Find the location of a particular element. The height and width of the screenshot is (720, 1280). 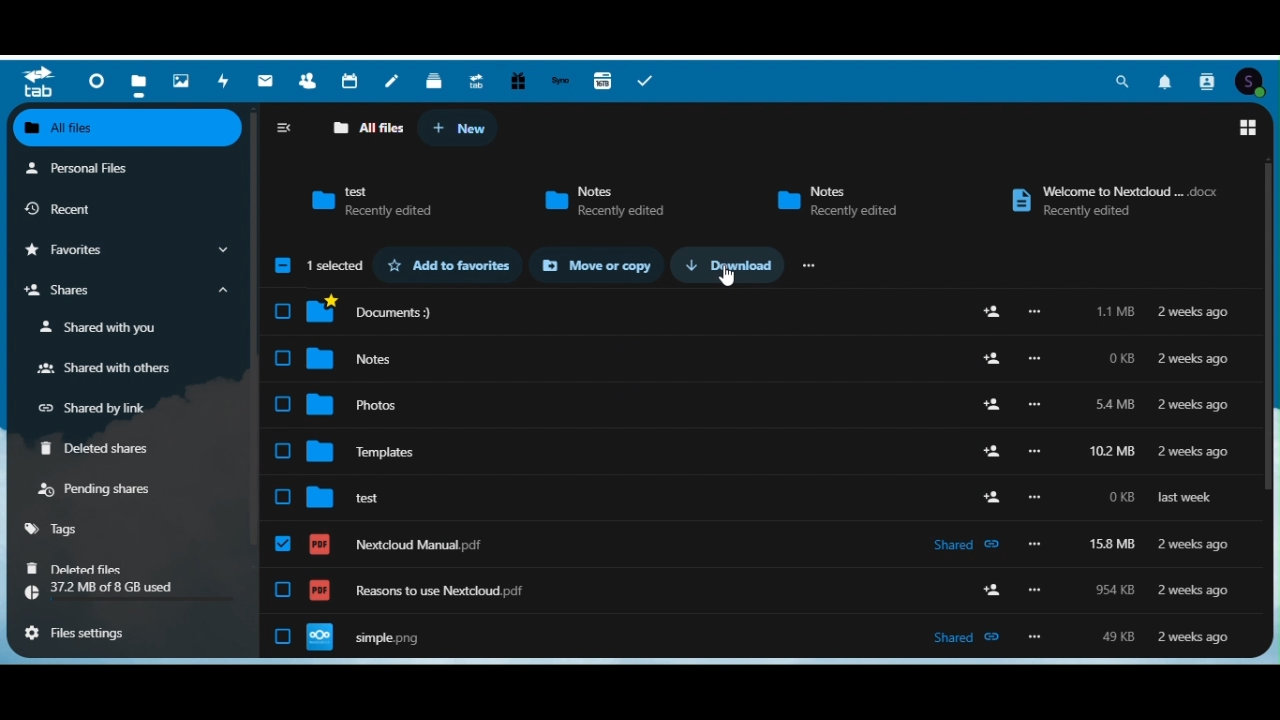

Checkbox is located at coordinates (283, 264).